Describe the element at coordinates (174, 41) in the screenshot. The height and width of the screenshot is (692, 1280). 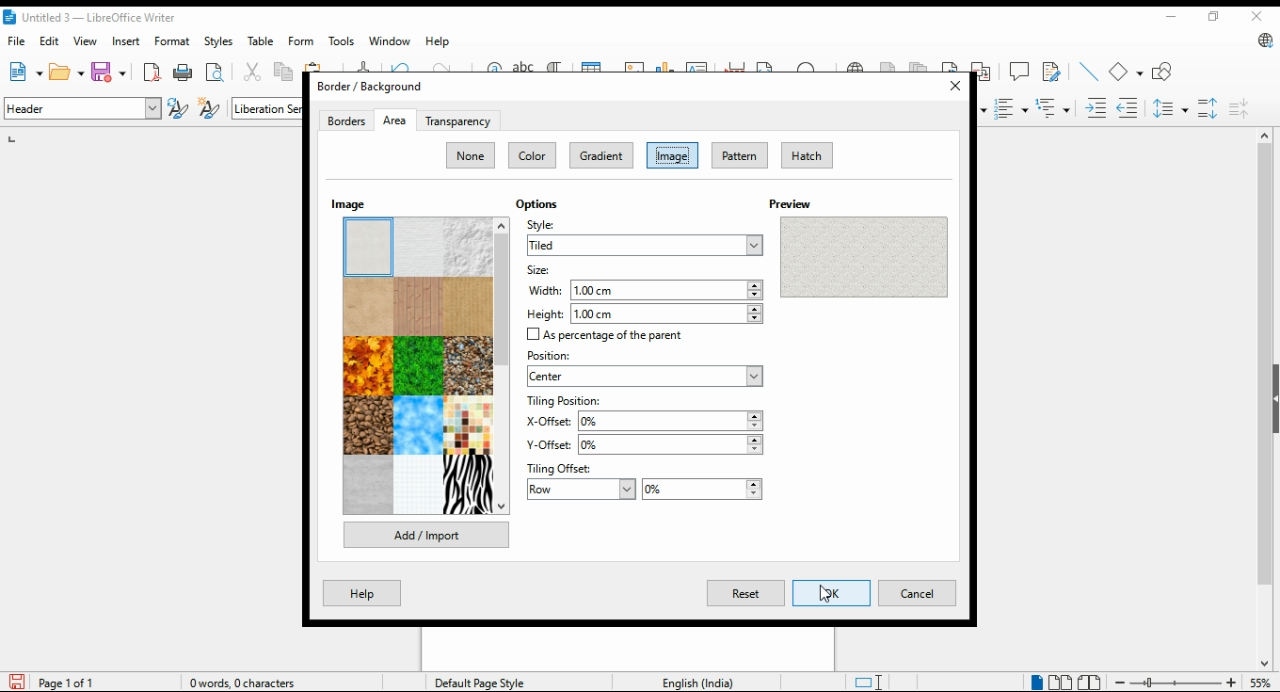
I see `format` at that location.